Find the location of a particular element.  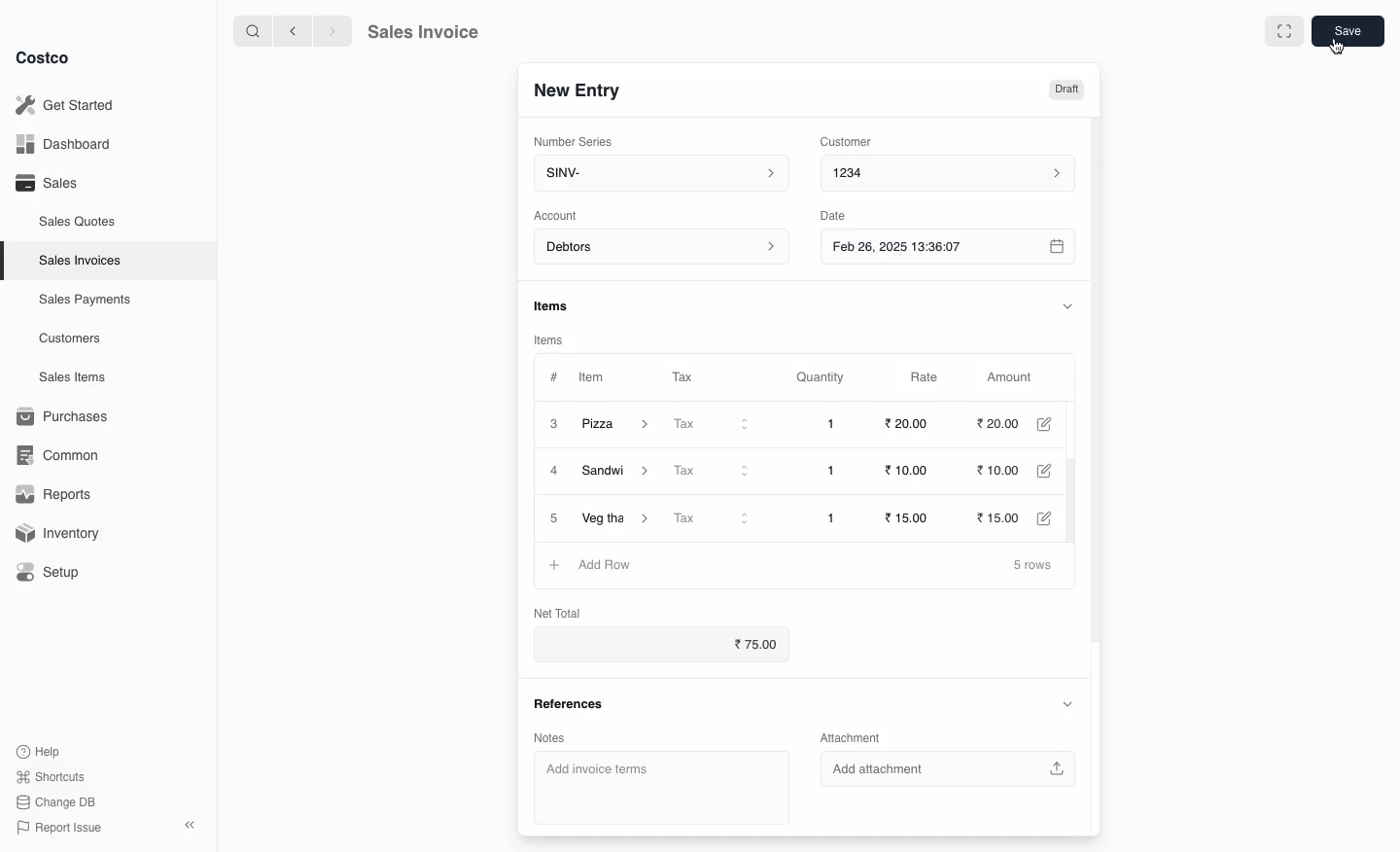

1234 is located at coordinates (946, 174).